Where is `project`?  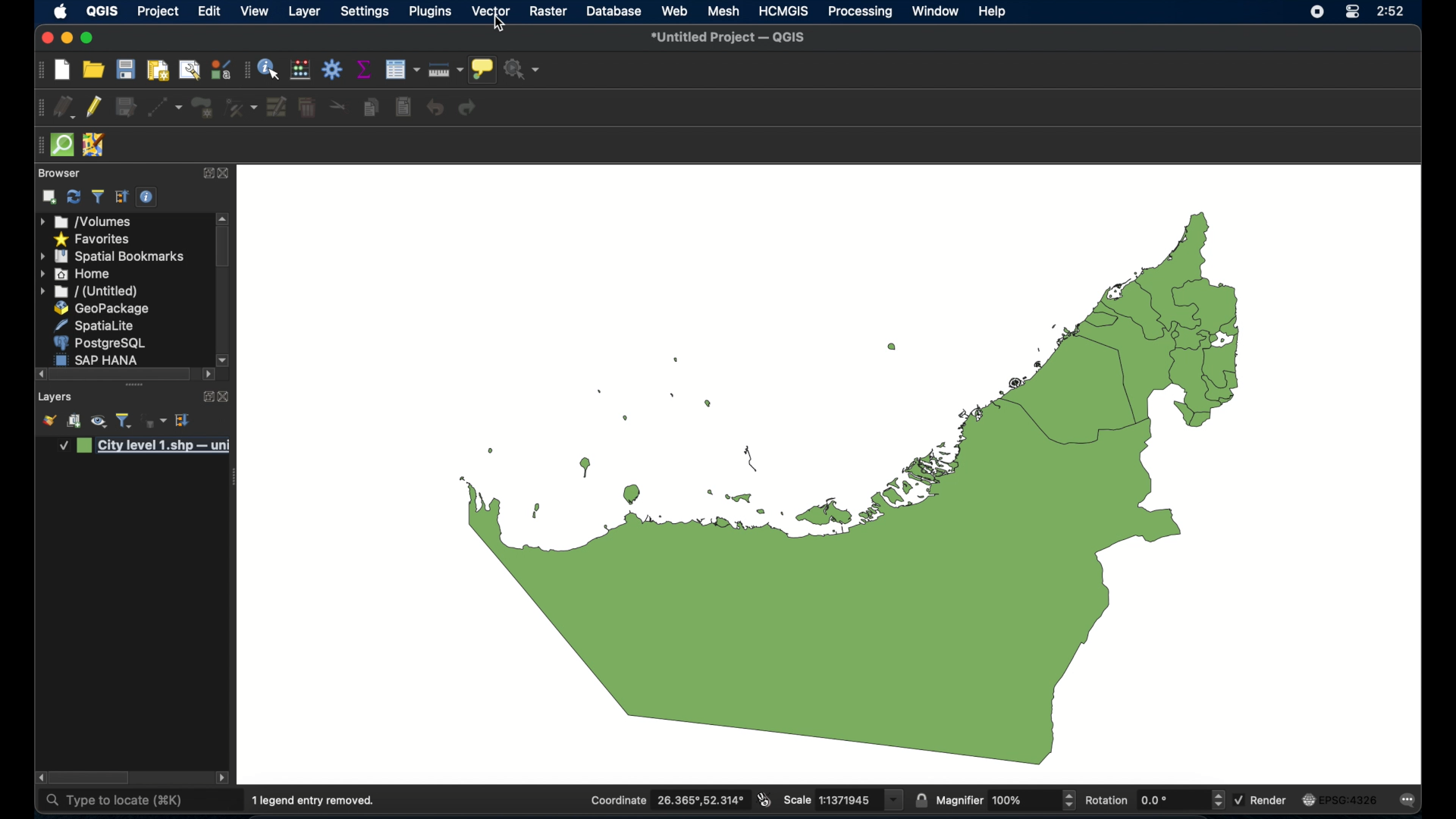 project is located at coordinates (158, 12).